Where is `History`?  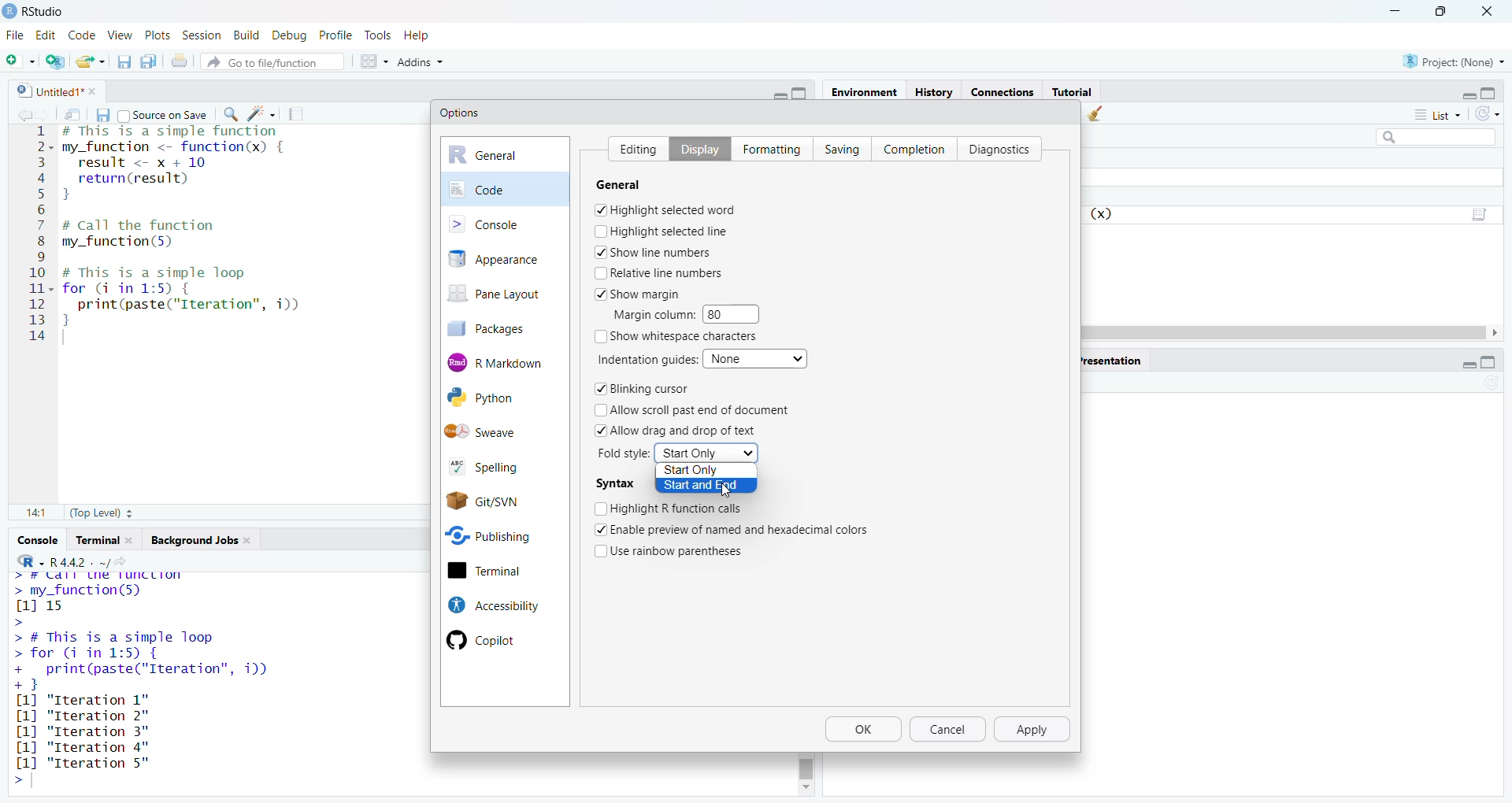 History is located at coordinates (934, 91).